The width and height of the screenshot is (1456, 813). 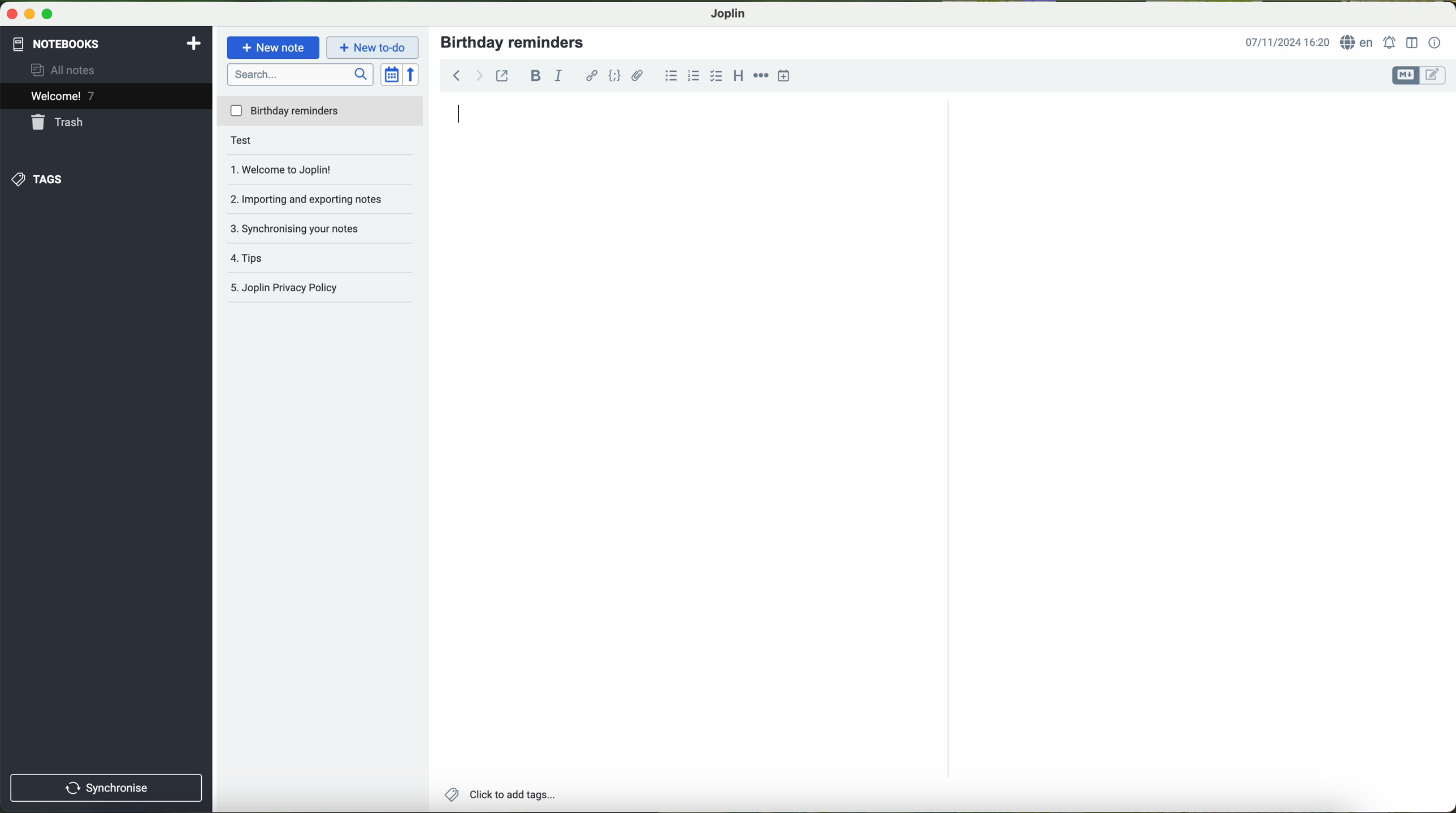 What do you see at coordinates (503, 794) in the screenshot?
I see `add tags` at bounding box center [503, 794].